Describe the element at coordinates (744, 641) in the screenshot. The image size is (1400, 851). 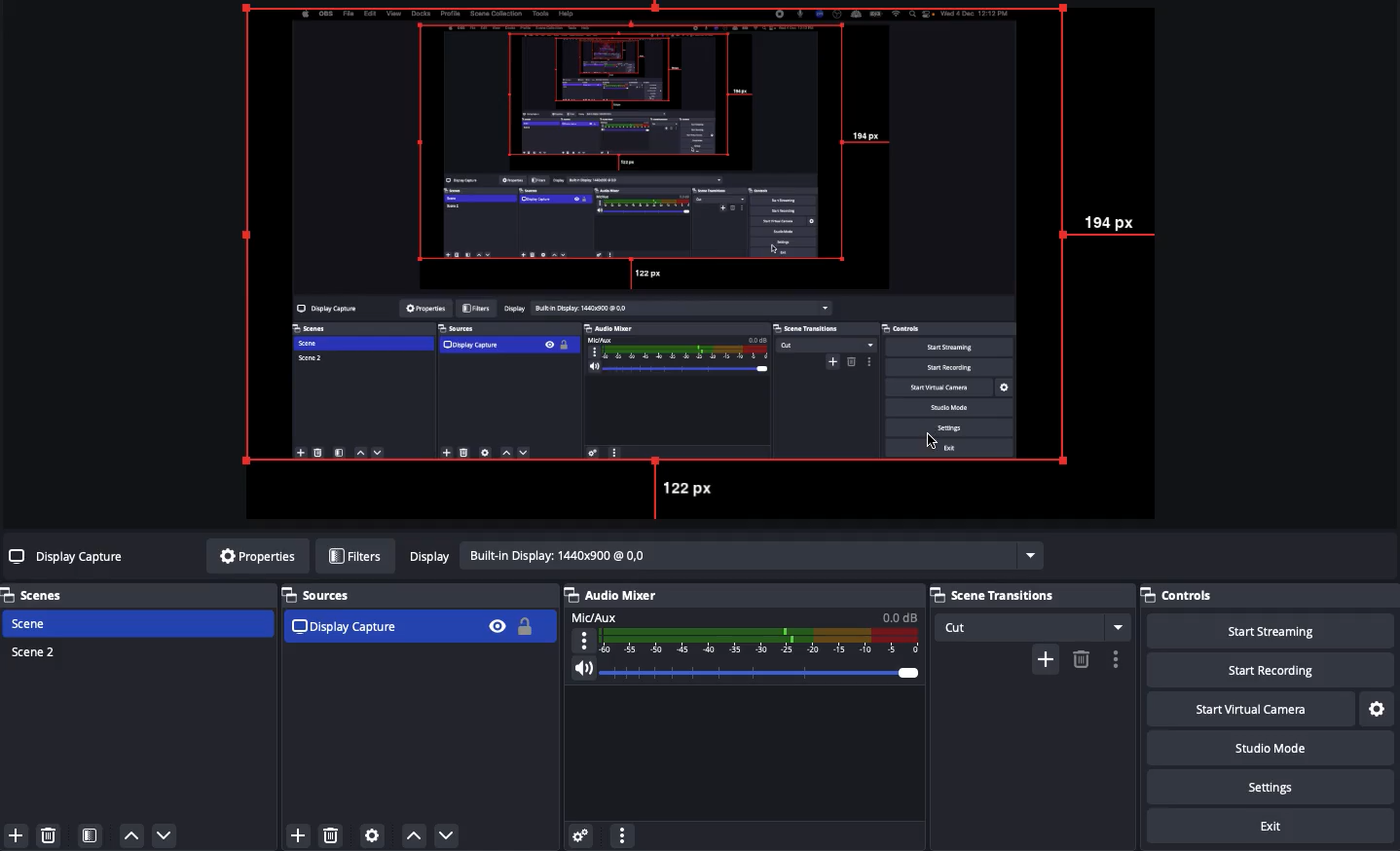
I see `Audio Mixer` at that location.